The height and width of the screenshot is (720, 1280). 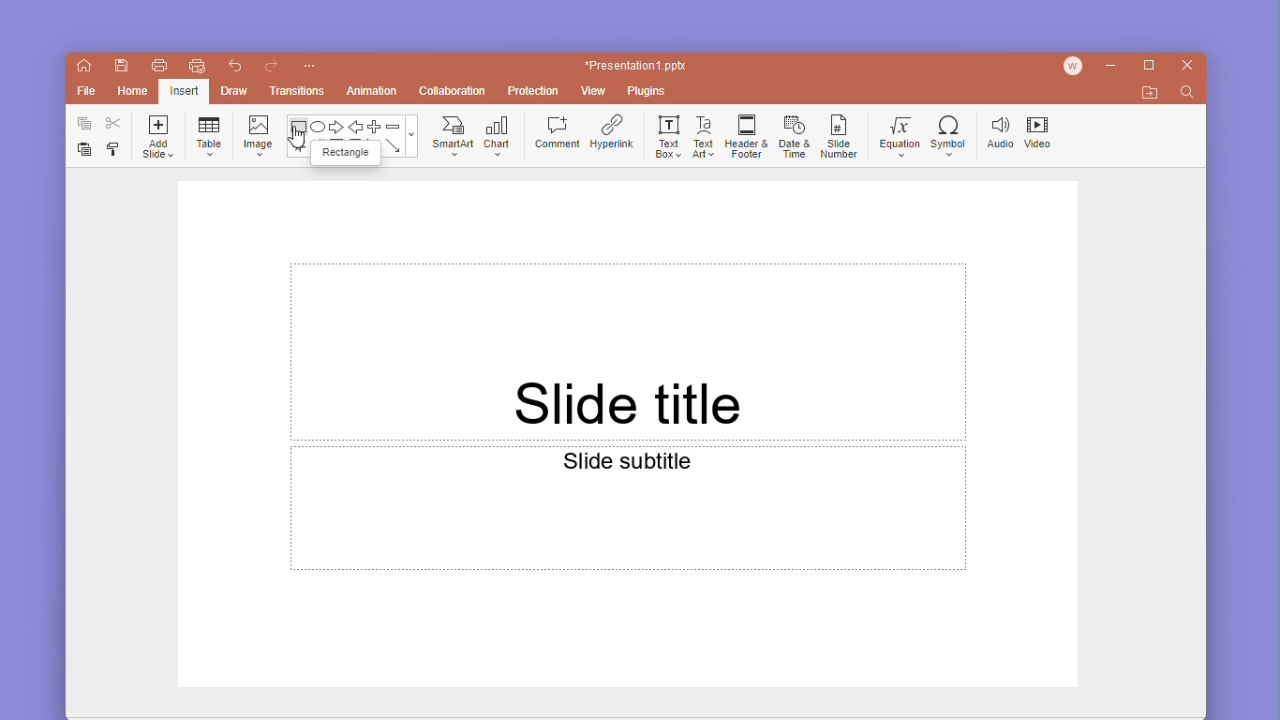 I want to click on date and time, so click(x=792, y=134).